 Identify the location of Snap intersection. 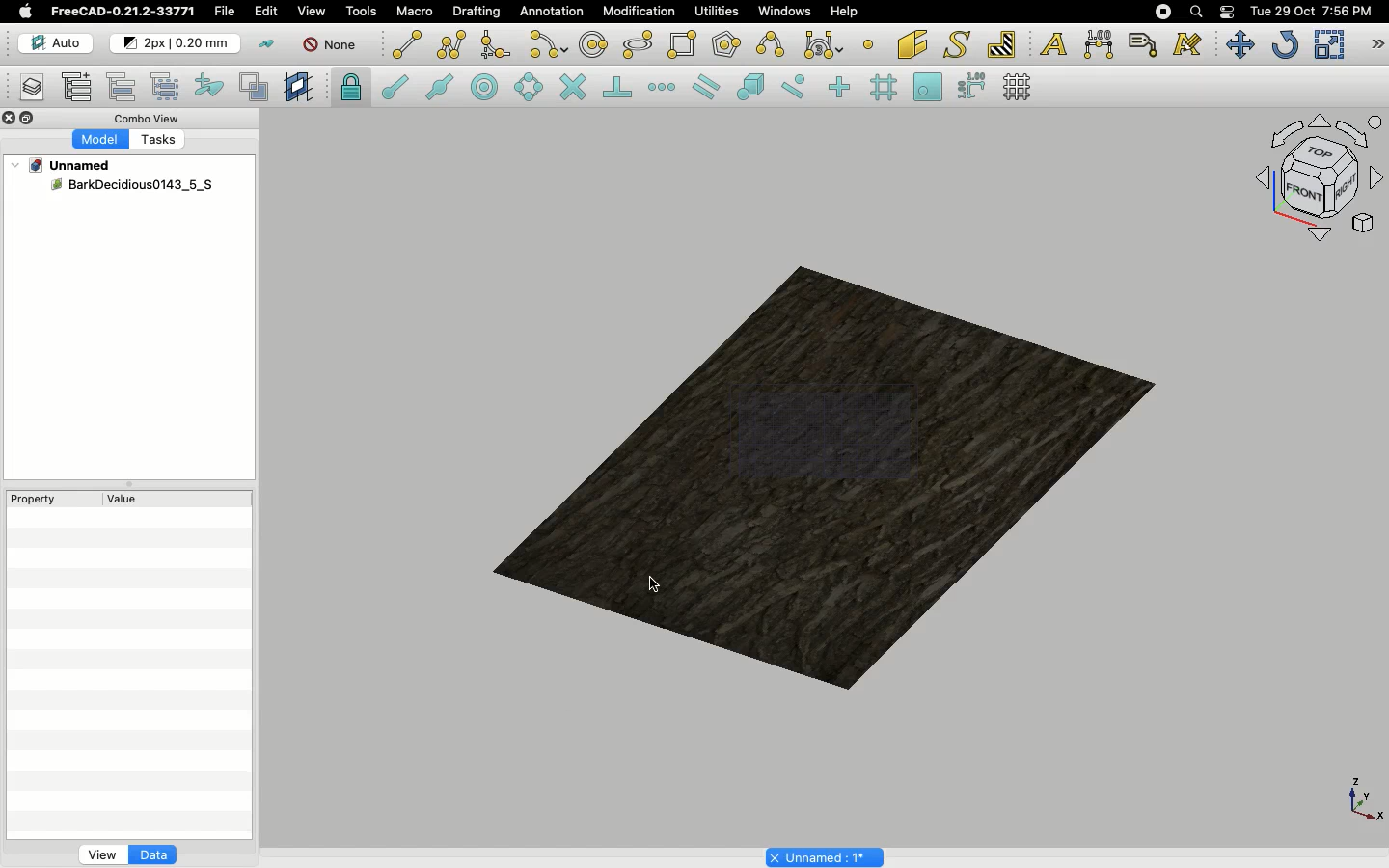
(574, 89).